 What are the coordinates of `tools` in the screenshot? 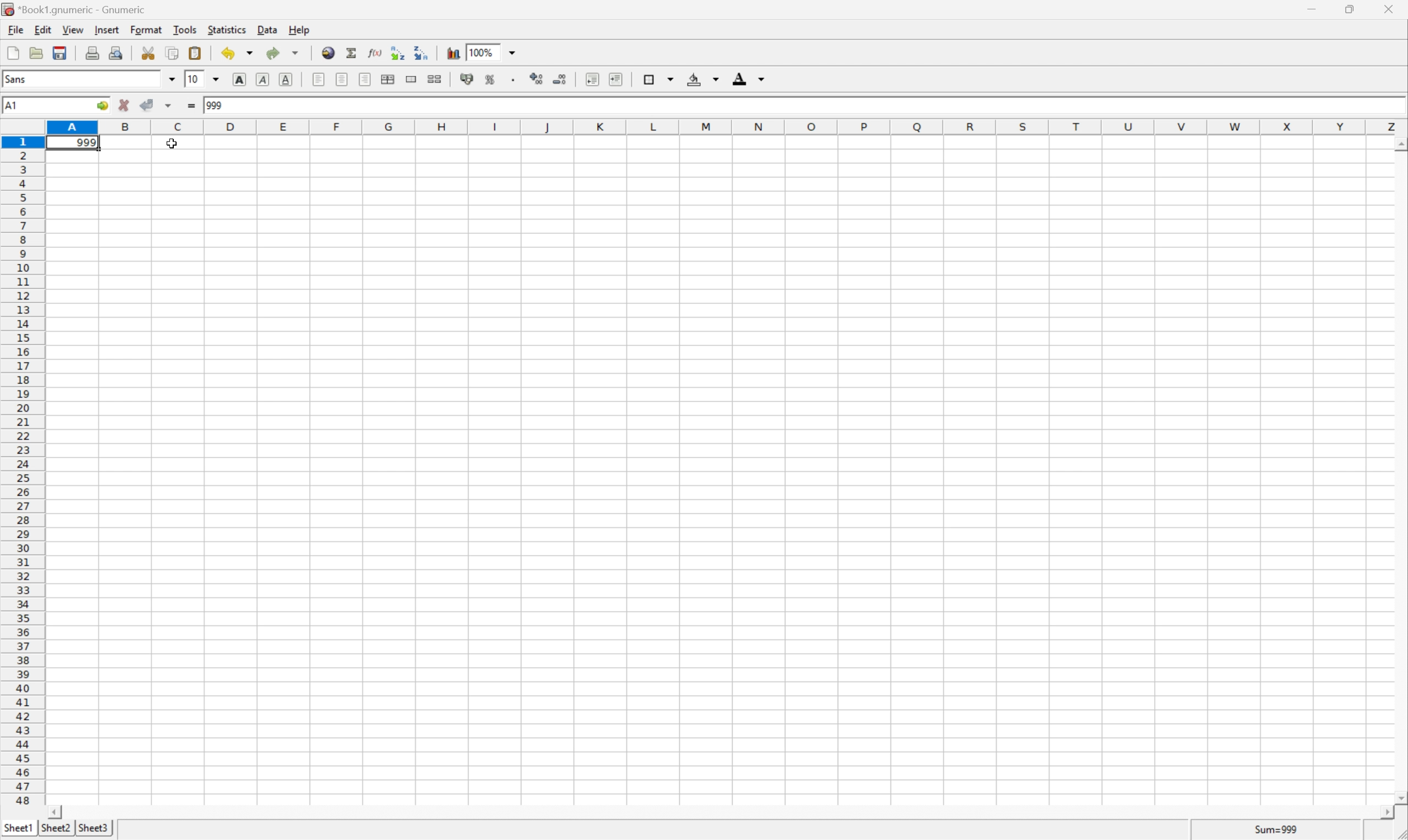 It's located at (186, 31).